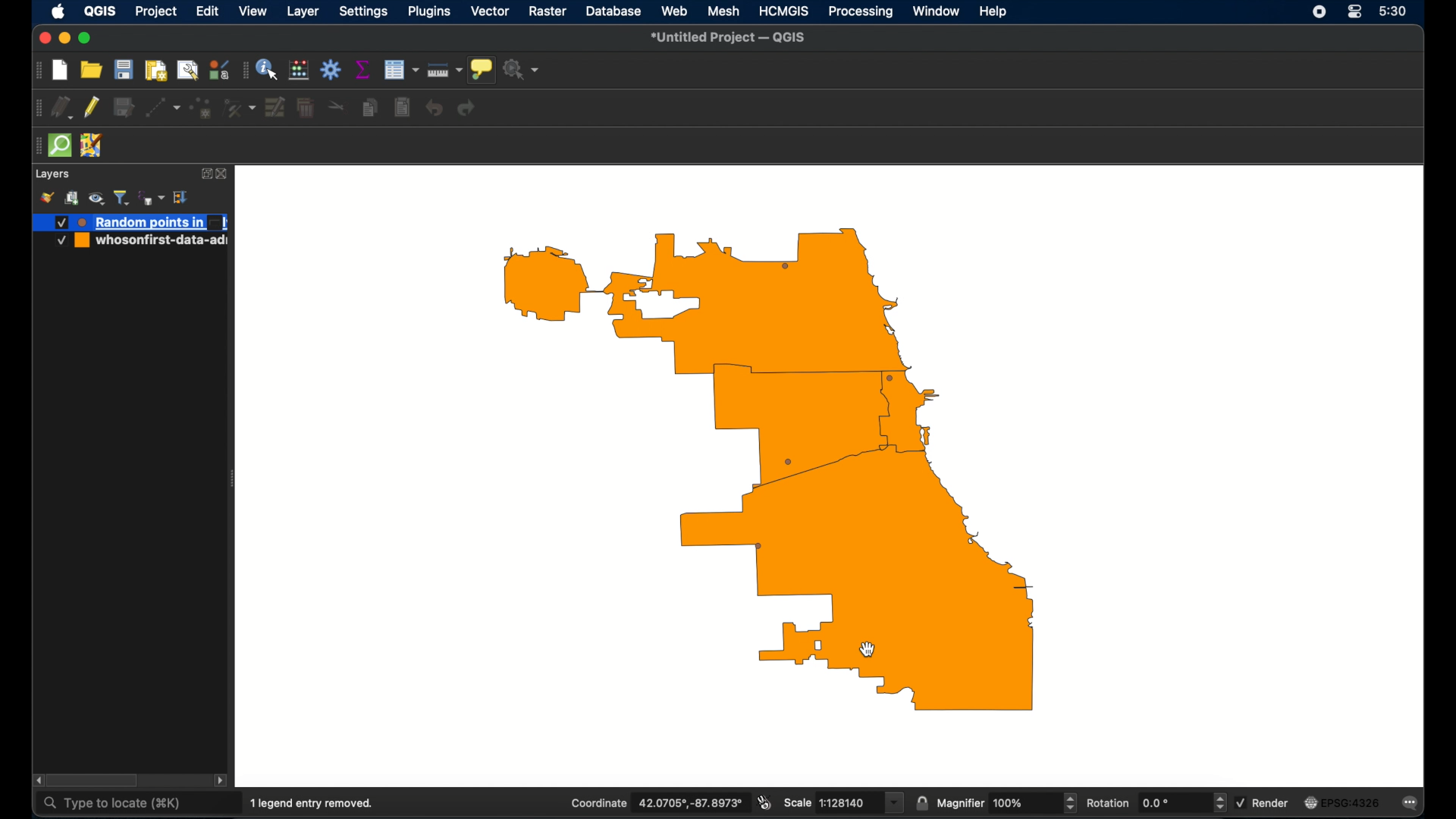  I want to click on lock scale, so click(921, 803).